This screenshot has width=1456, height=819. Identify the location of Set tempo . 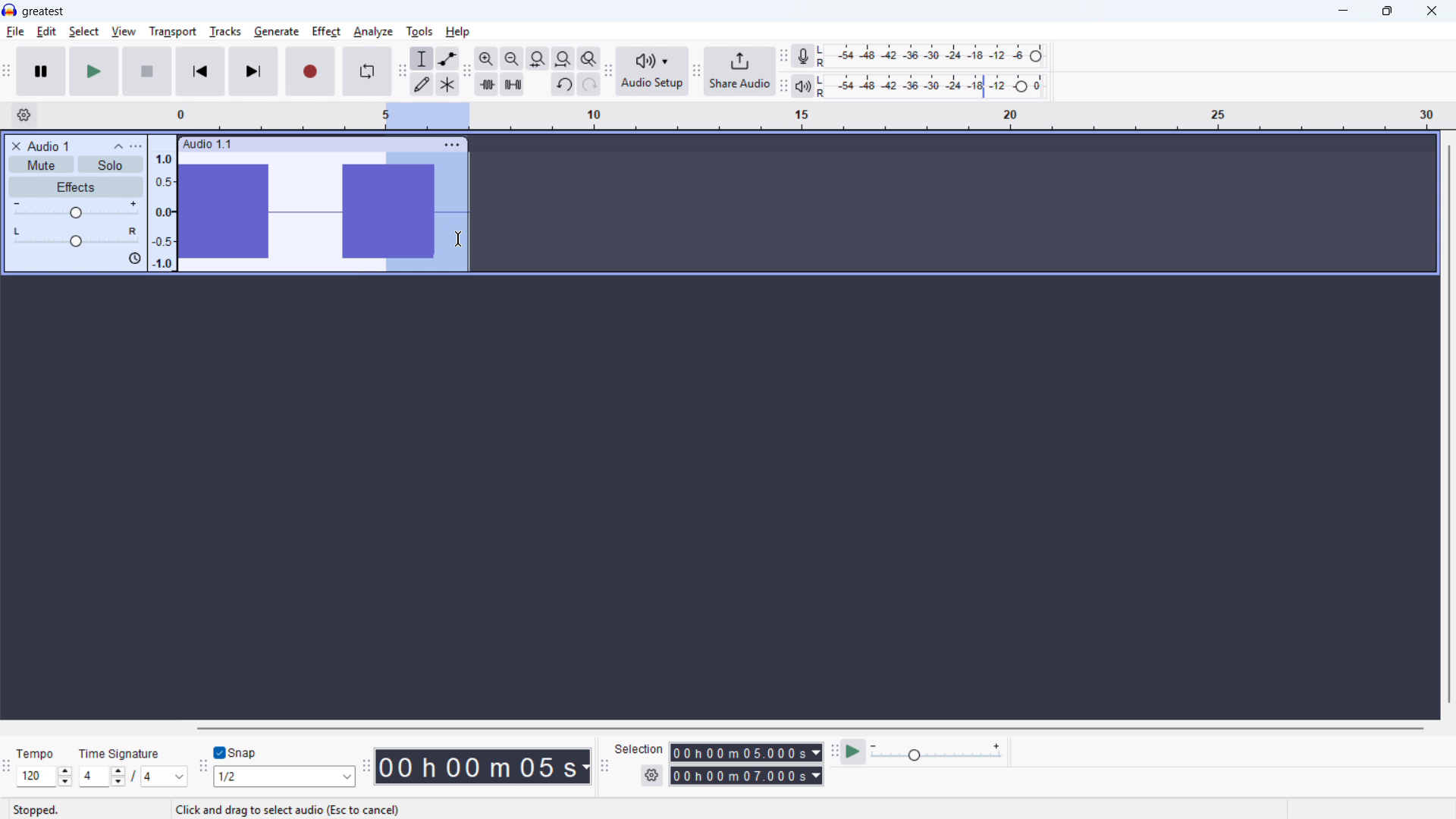
(45, 776).